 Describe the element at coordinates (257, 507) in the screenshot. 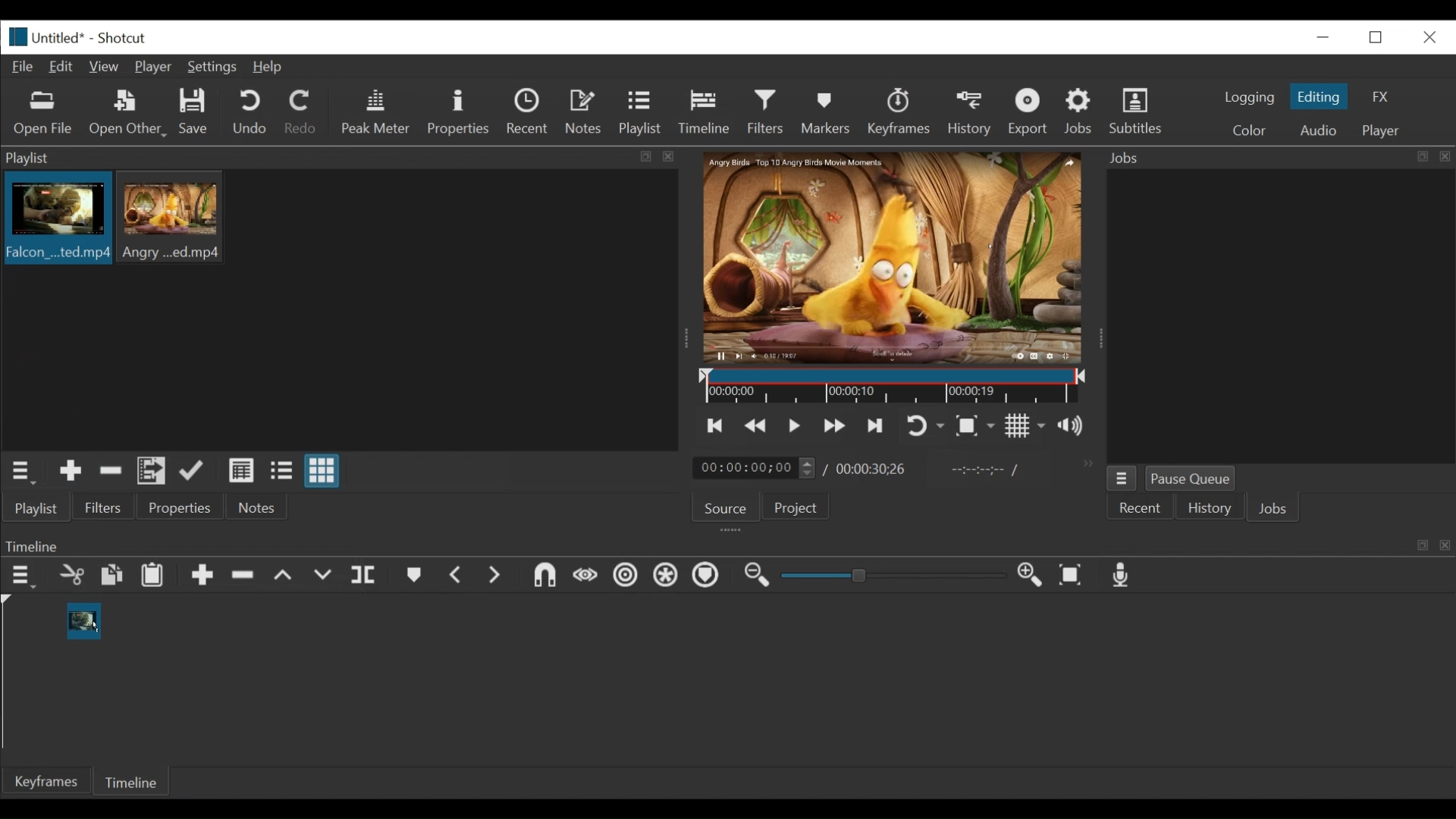

I see `Notes` at that location.